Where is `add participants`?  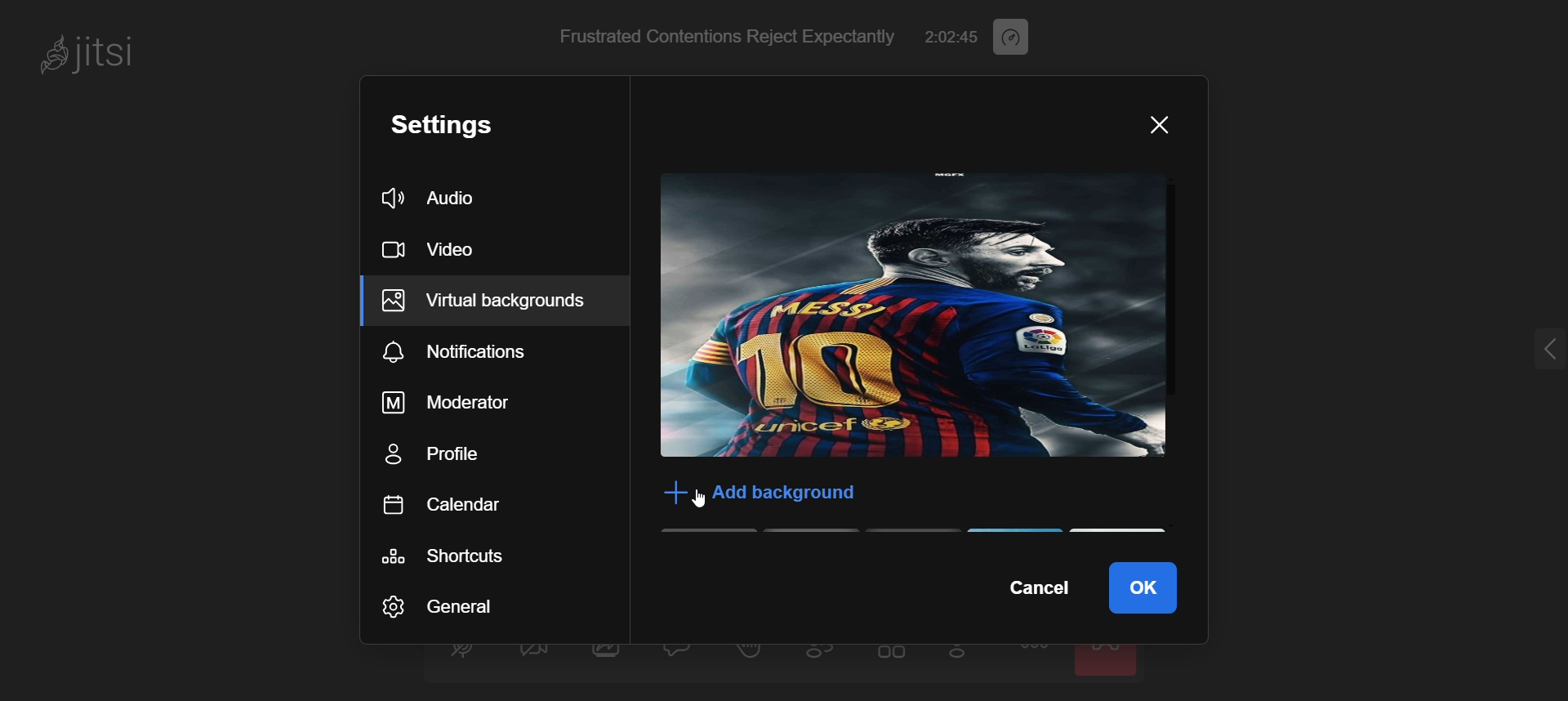 add participants is located at coordinates (962, 655).